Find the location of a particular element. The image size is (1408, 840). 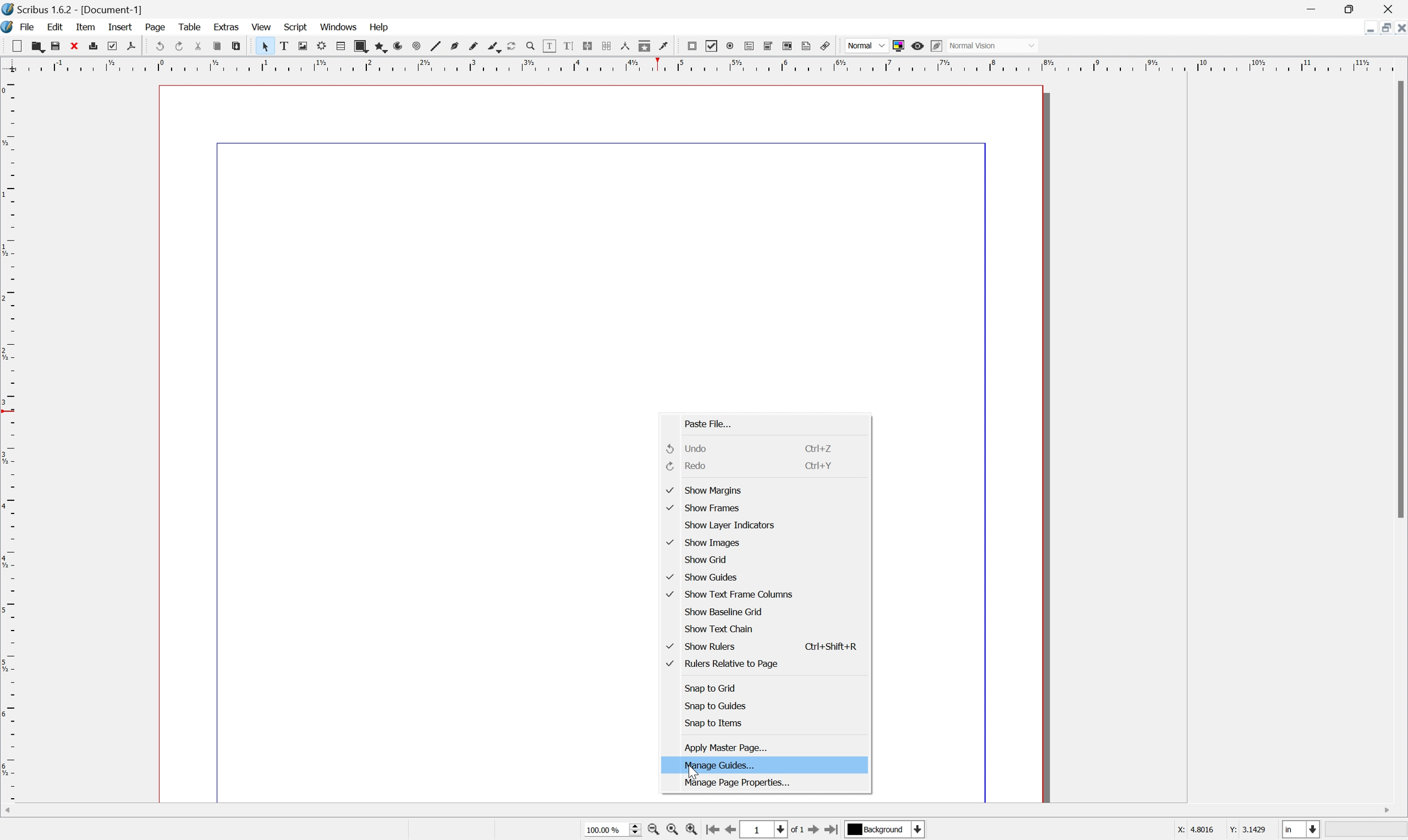

redo is located at coordinates (179, 46).